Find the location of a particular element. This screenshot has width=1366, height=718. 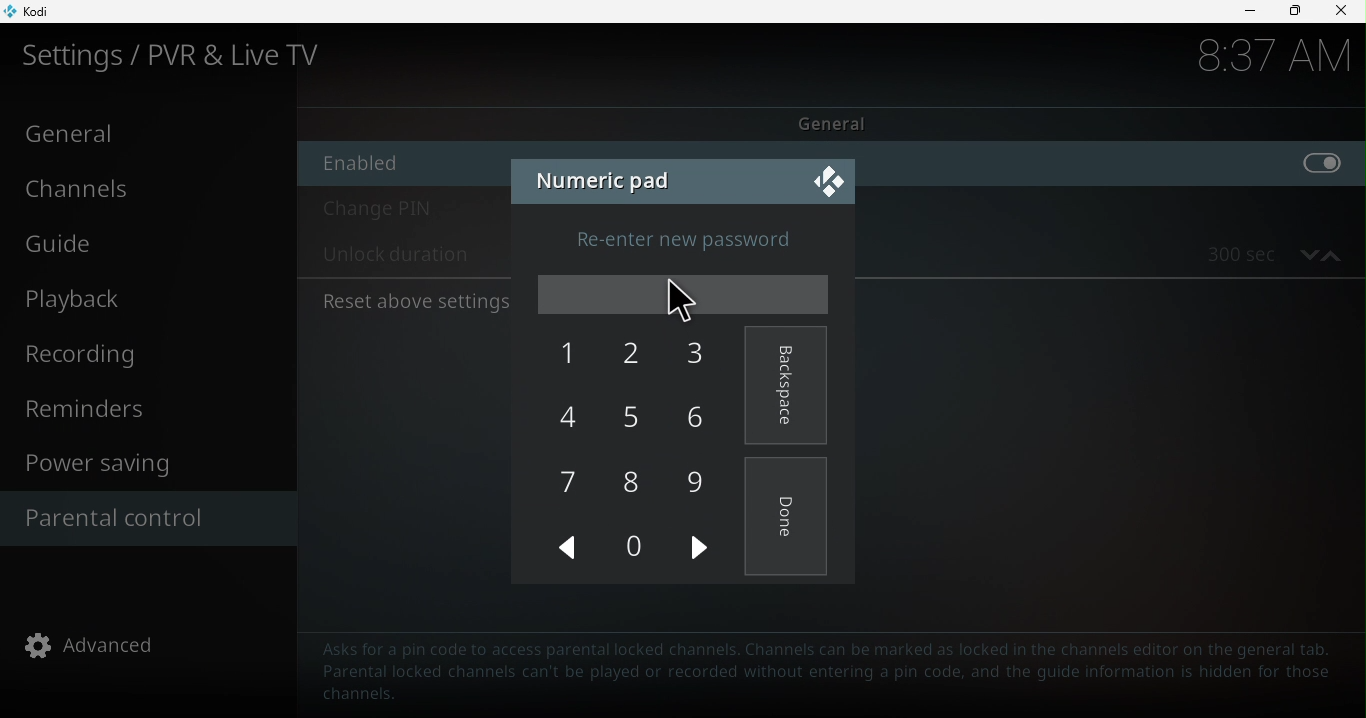

Unlock duration is located at coordinates (395, 257).